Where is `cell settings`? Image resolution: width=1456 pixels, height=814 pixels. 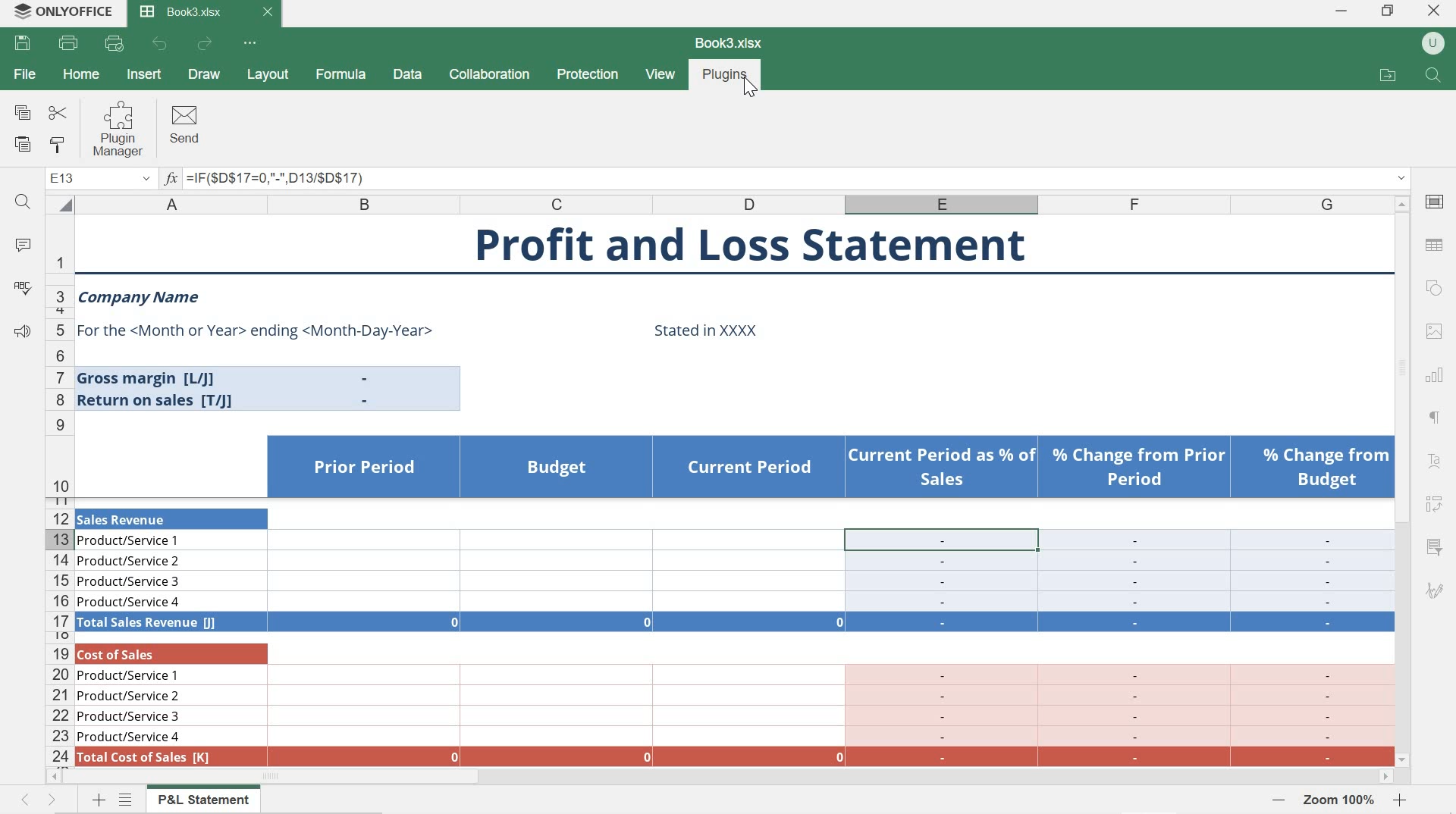 cell settings is located at coordinates (1437, 200).